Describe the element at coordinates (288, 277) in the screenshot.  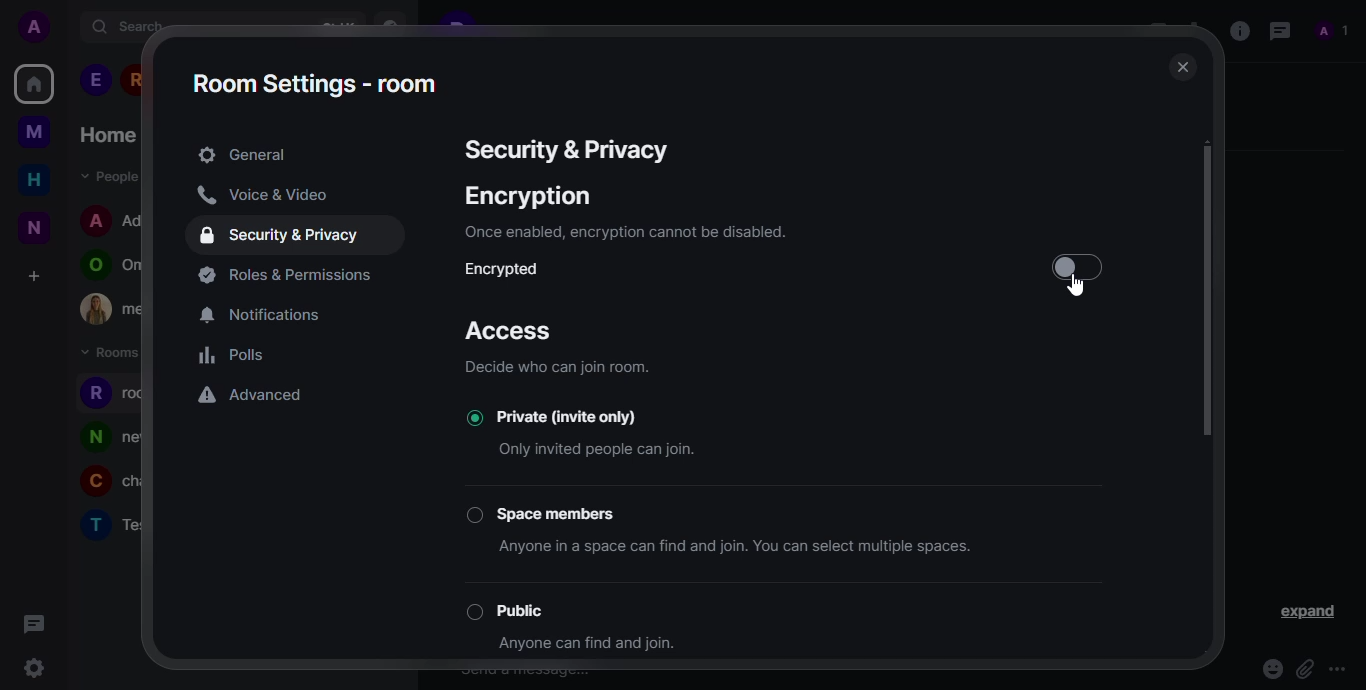
I see `permissions` at that location.